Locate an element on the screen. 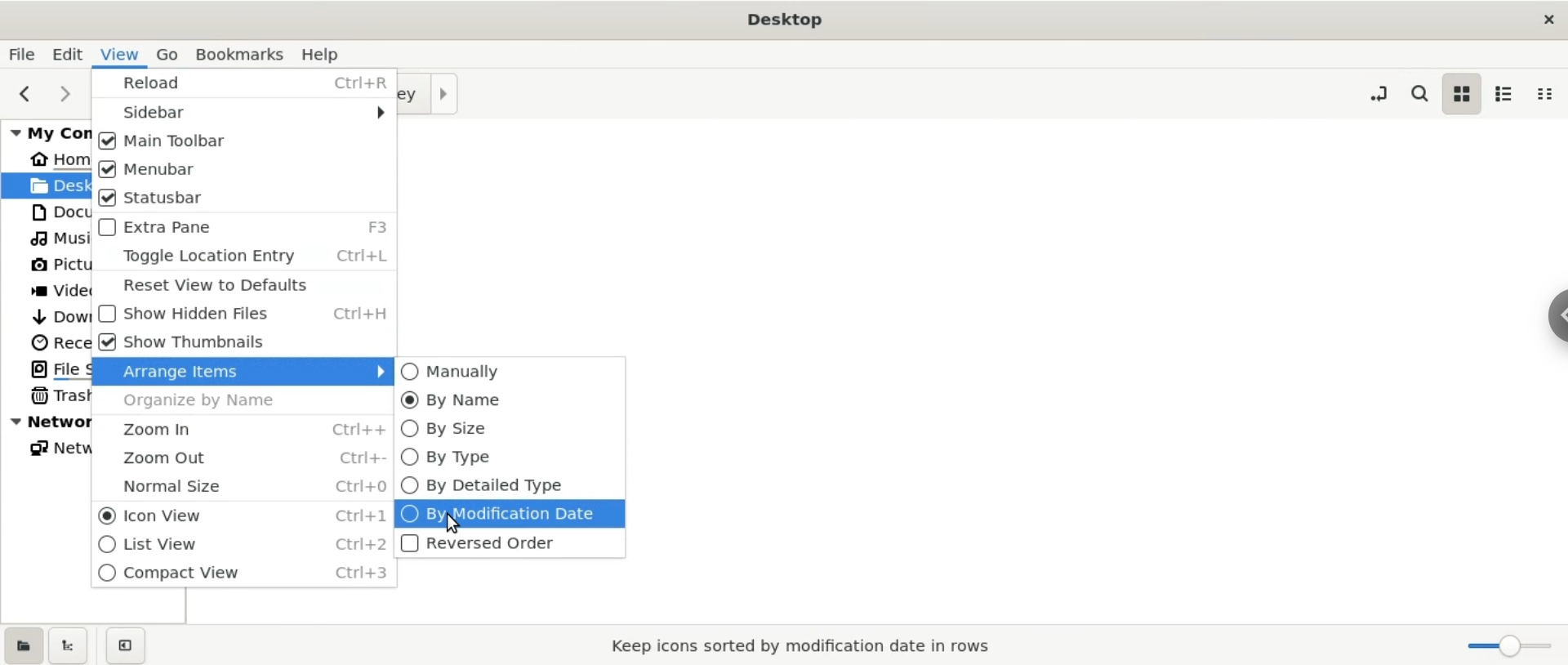 This screenshot has height=665, width=1568. toggle location entry is located at coordinates (242, 257).